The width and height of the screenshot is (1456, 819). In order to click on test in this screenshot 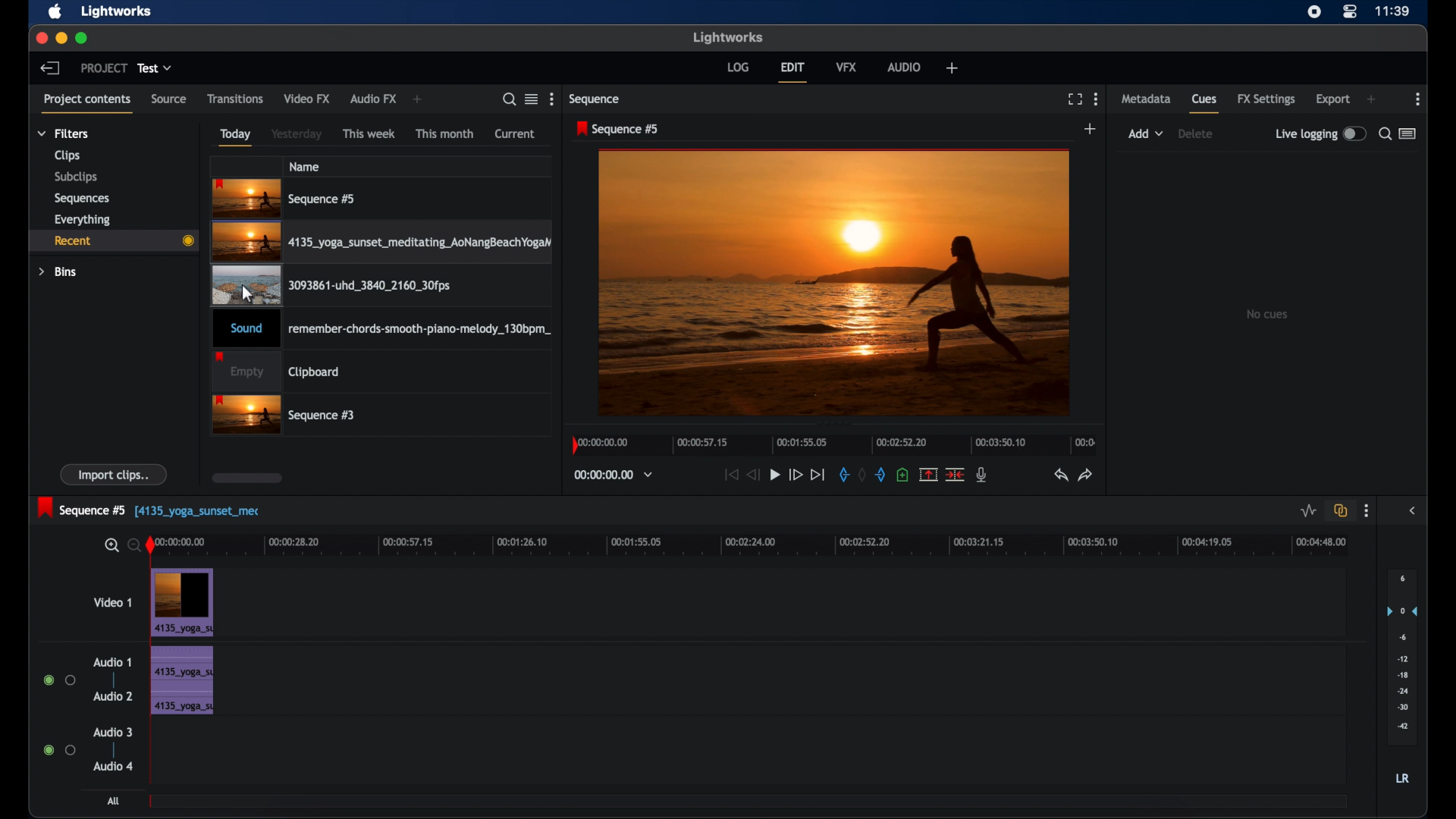, I will do `click(155, 67)`.